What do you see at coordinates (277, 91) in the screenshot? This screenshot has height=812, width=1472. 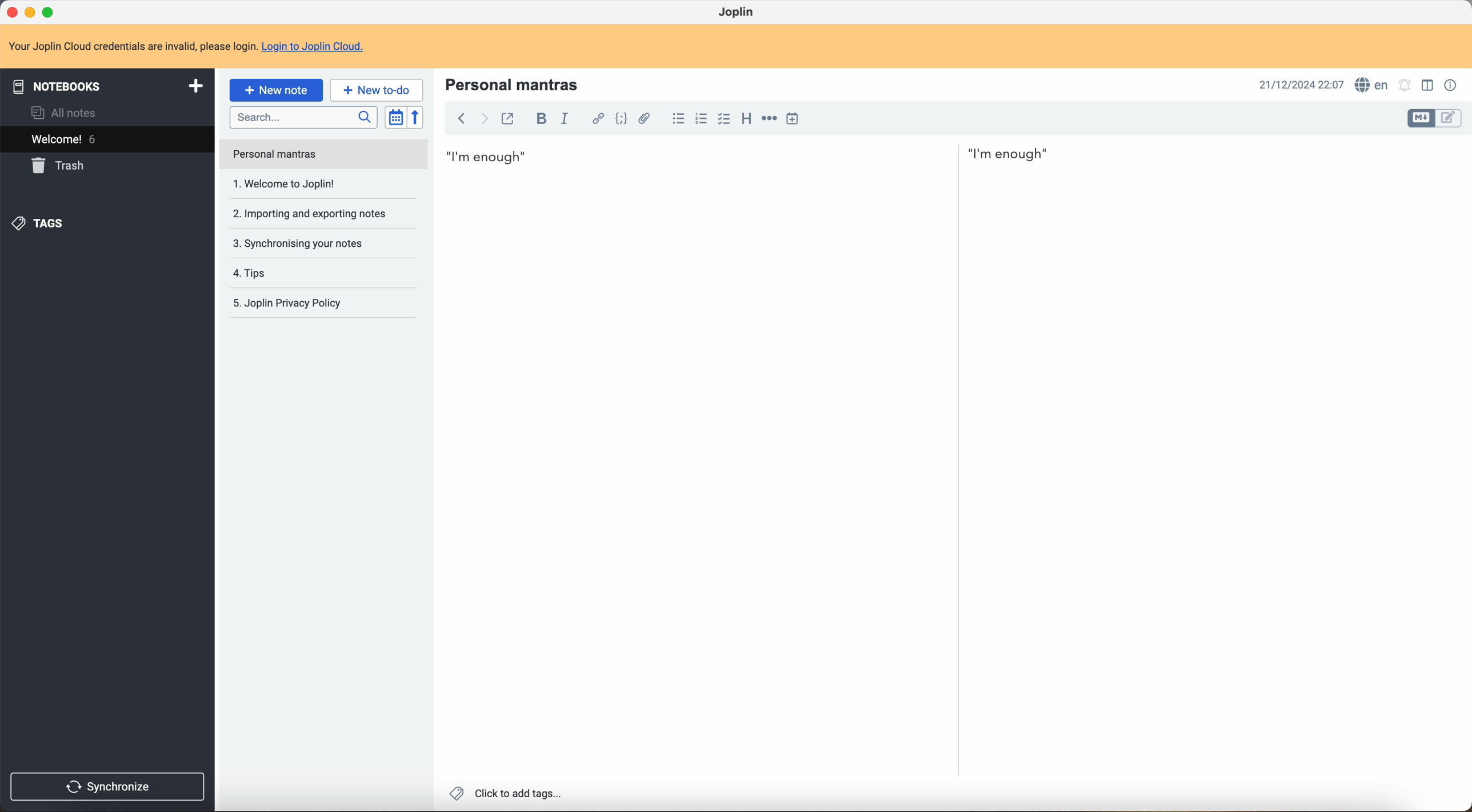 I see `click on new note` at bounding box center [277, 91].